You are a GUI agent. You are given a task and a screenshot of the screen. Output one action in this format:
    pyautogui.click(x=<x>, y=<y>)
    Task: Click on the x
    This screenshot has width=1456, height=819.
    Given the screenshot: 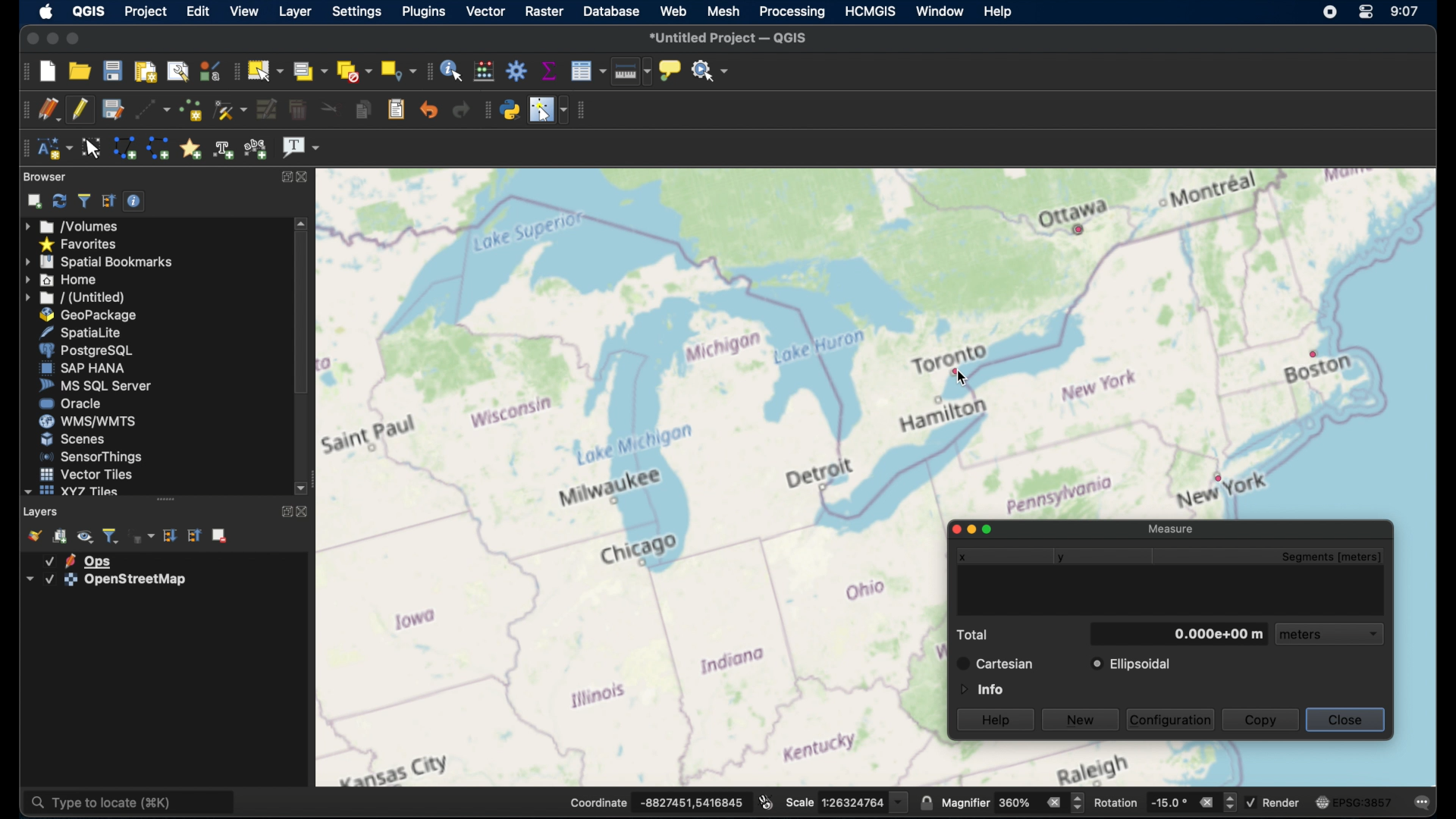 What is the action you would take?
    pyautogui.click(x=963, y=557)
    